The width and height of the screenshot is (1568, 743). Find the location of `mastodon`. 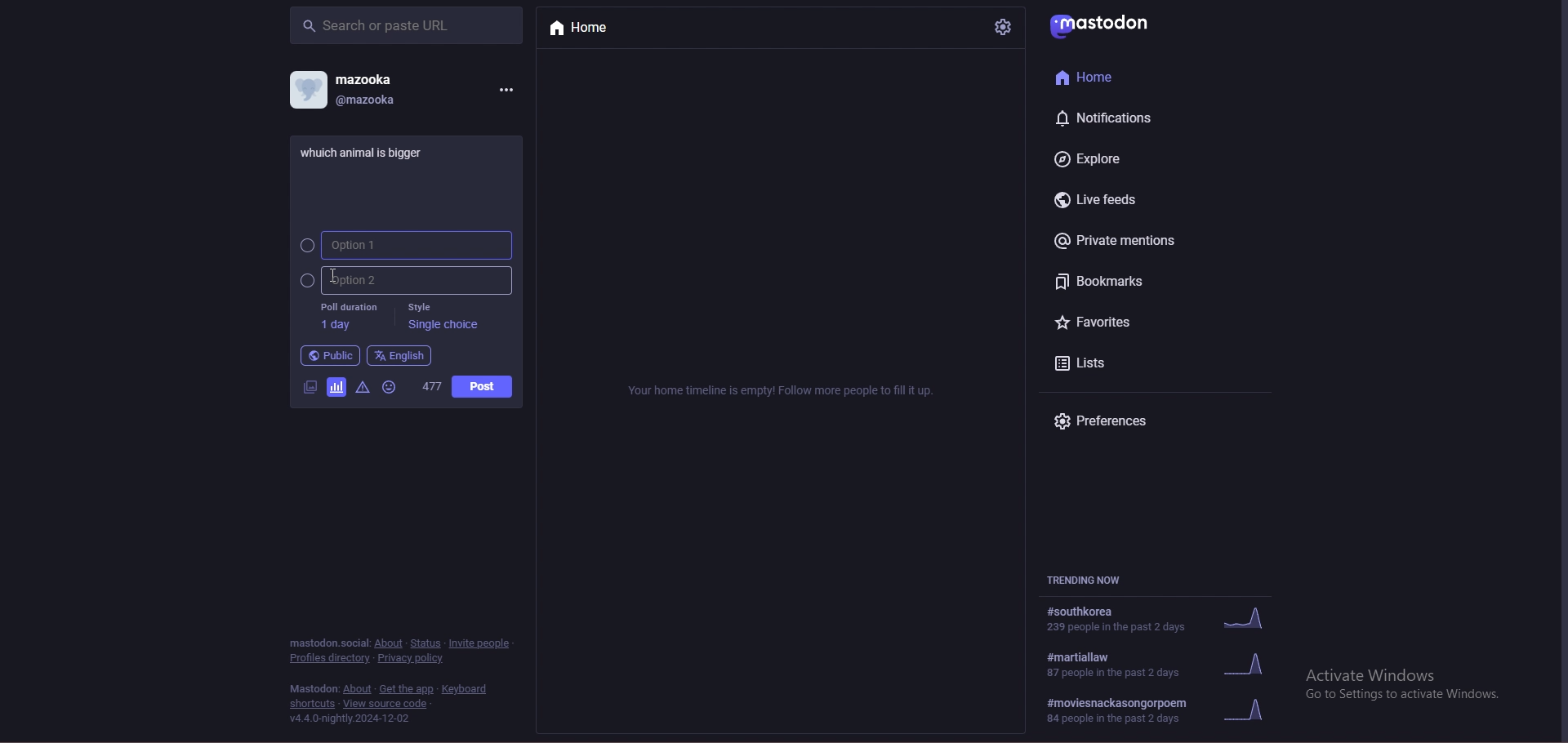

mastodon is located at coordinates (314, 689).